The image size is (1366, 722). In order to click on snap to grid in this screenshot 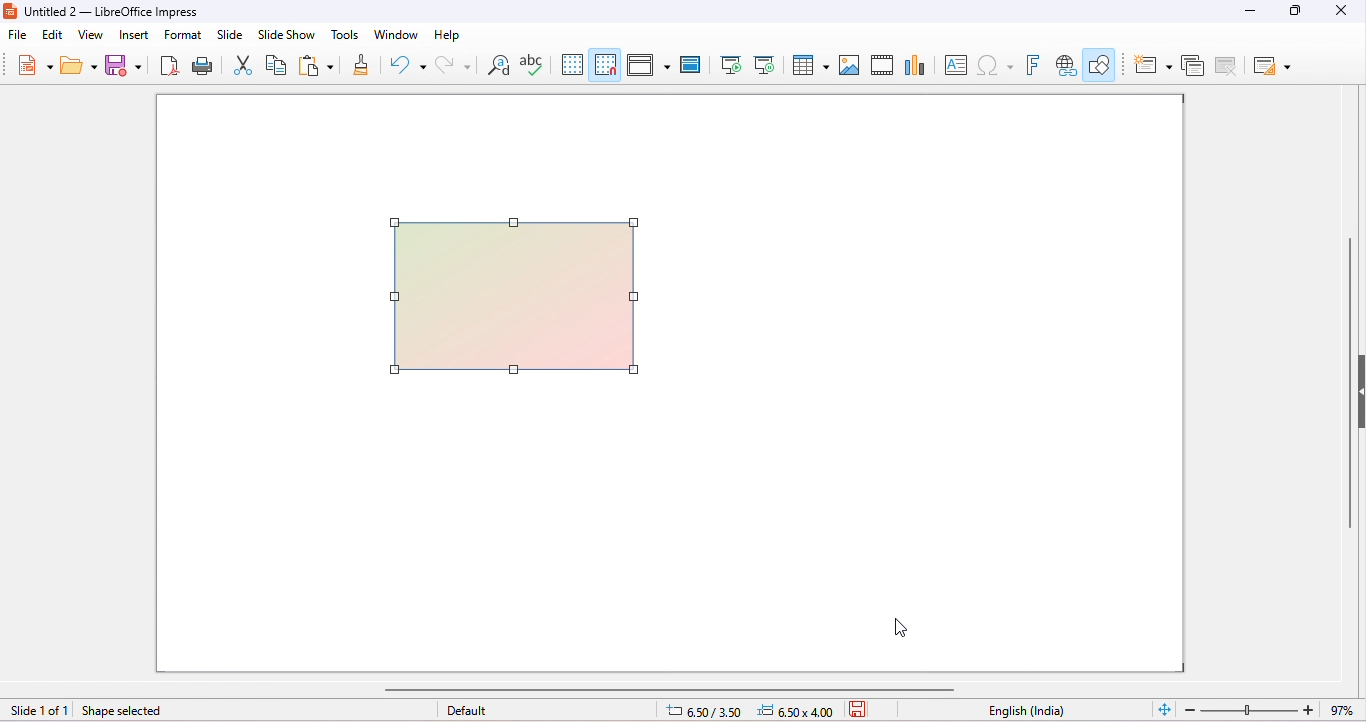, I will do `click(606, 64)`.